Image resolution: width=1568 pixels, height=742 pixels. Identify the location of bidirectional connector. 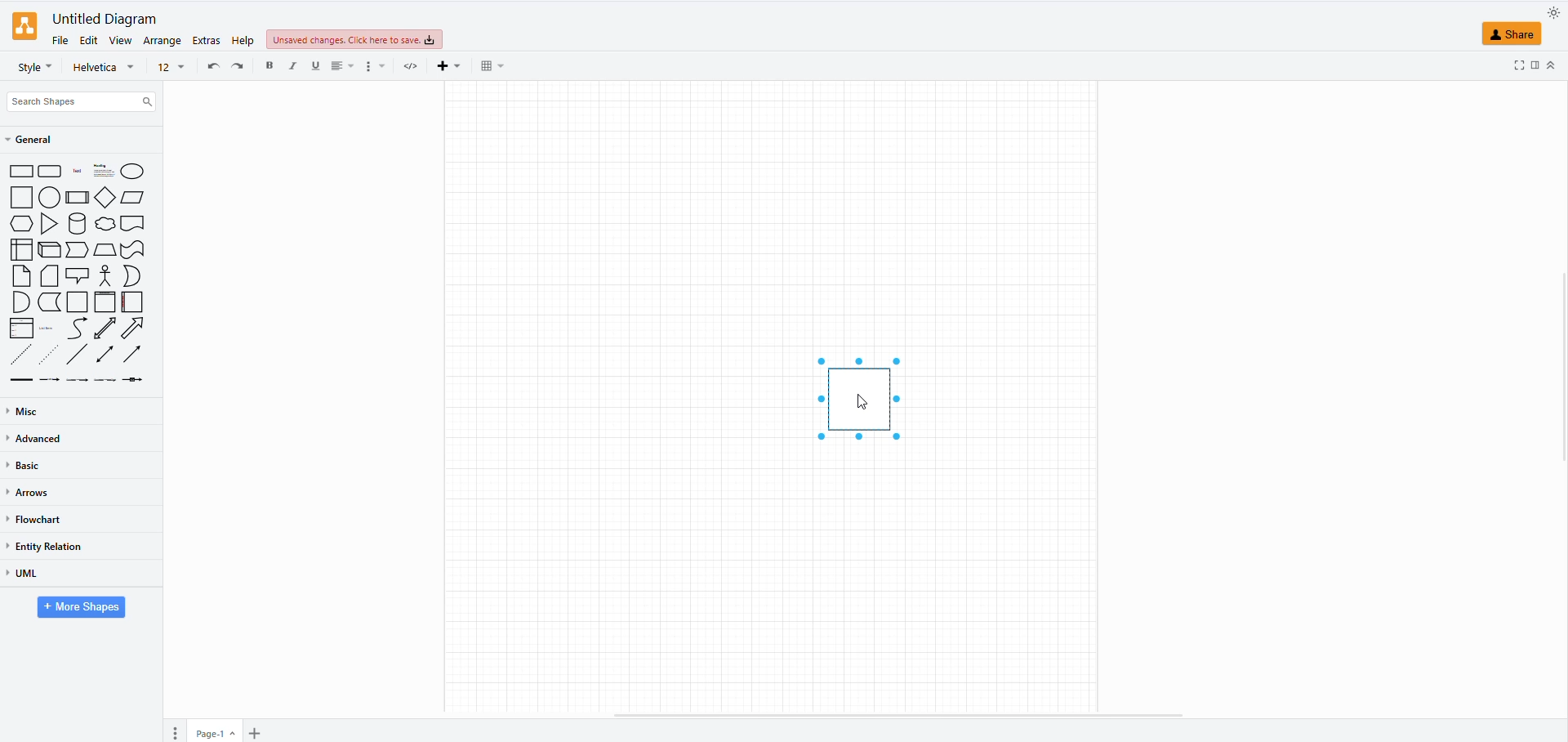
(105, 355).